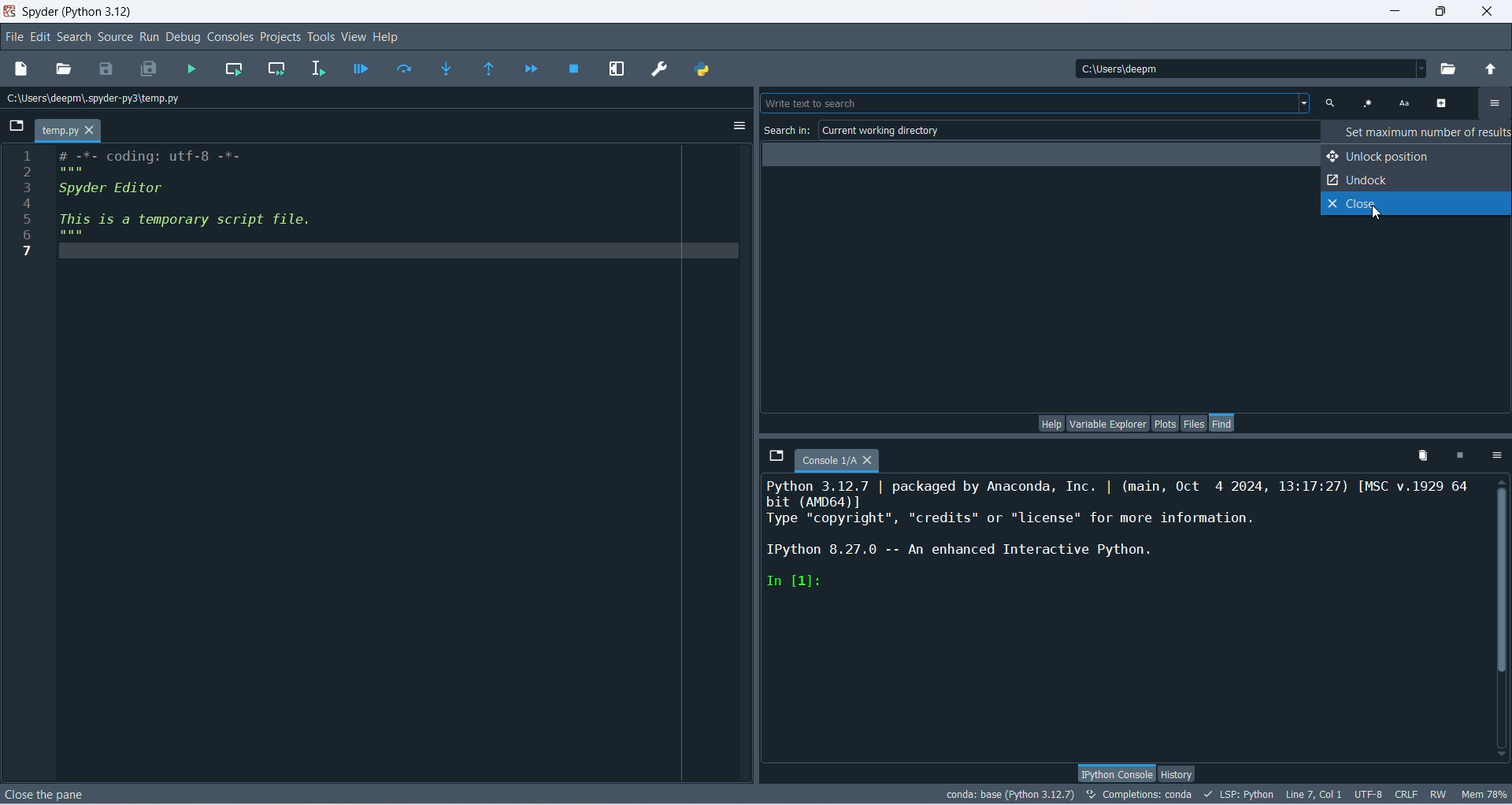 The image size is (1512, 805). Describe the element at coordinates (13, 126) in the screenshot. I see `browse tabs` at that location.